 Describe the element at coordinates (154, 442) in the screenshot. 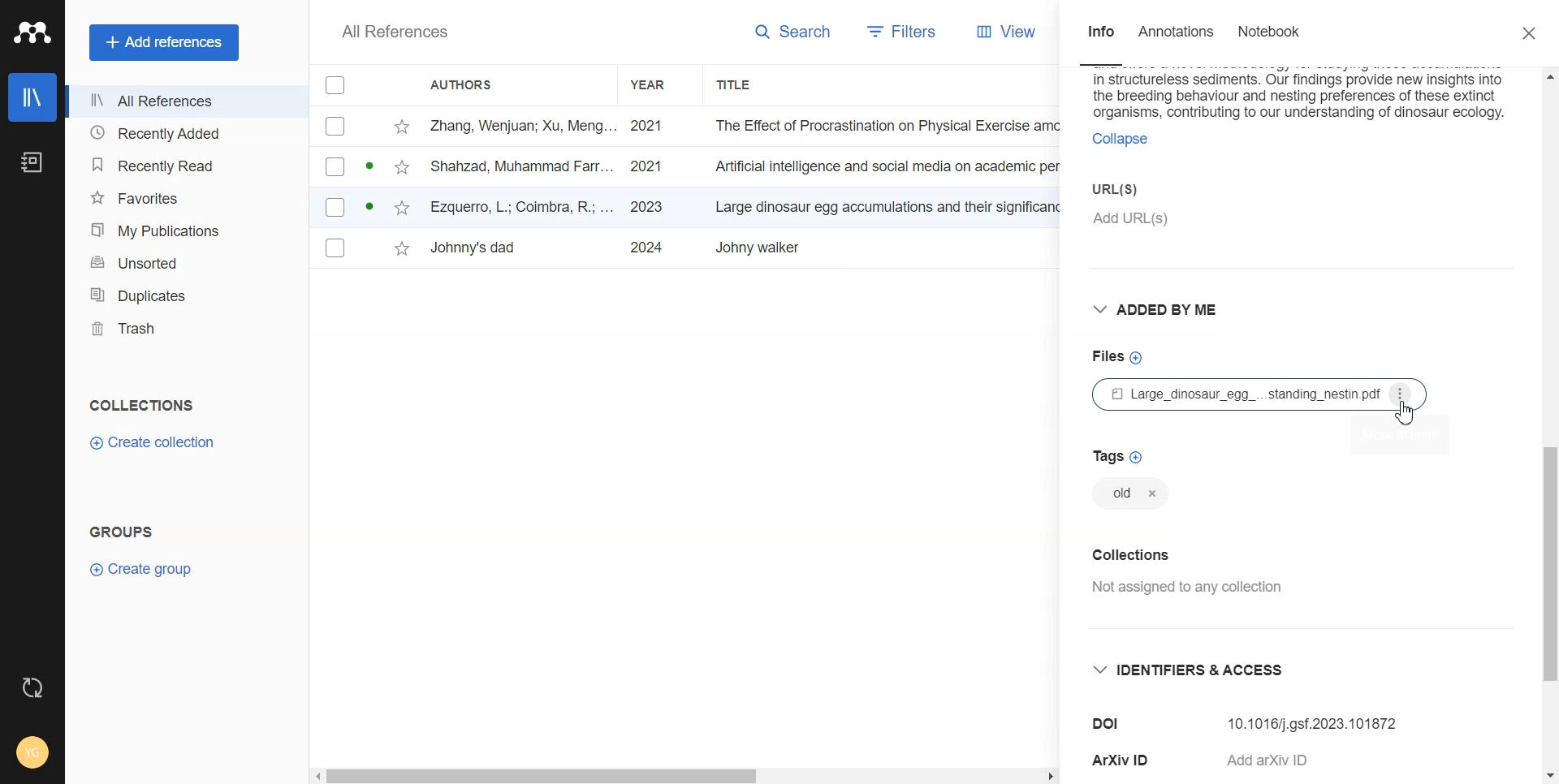

I see `Create Collection` at that location.